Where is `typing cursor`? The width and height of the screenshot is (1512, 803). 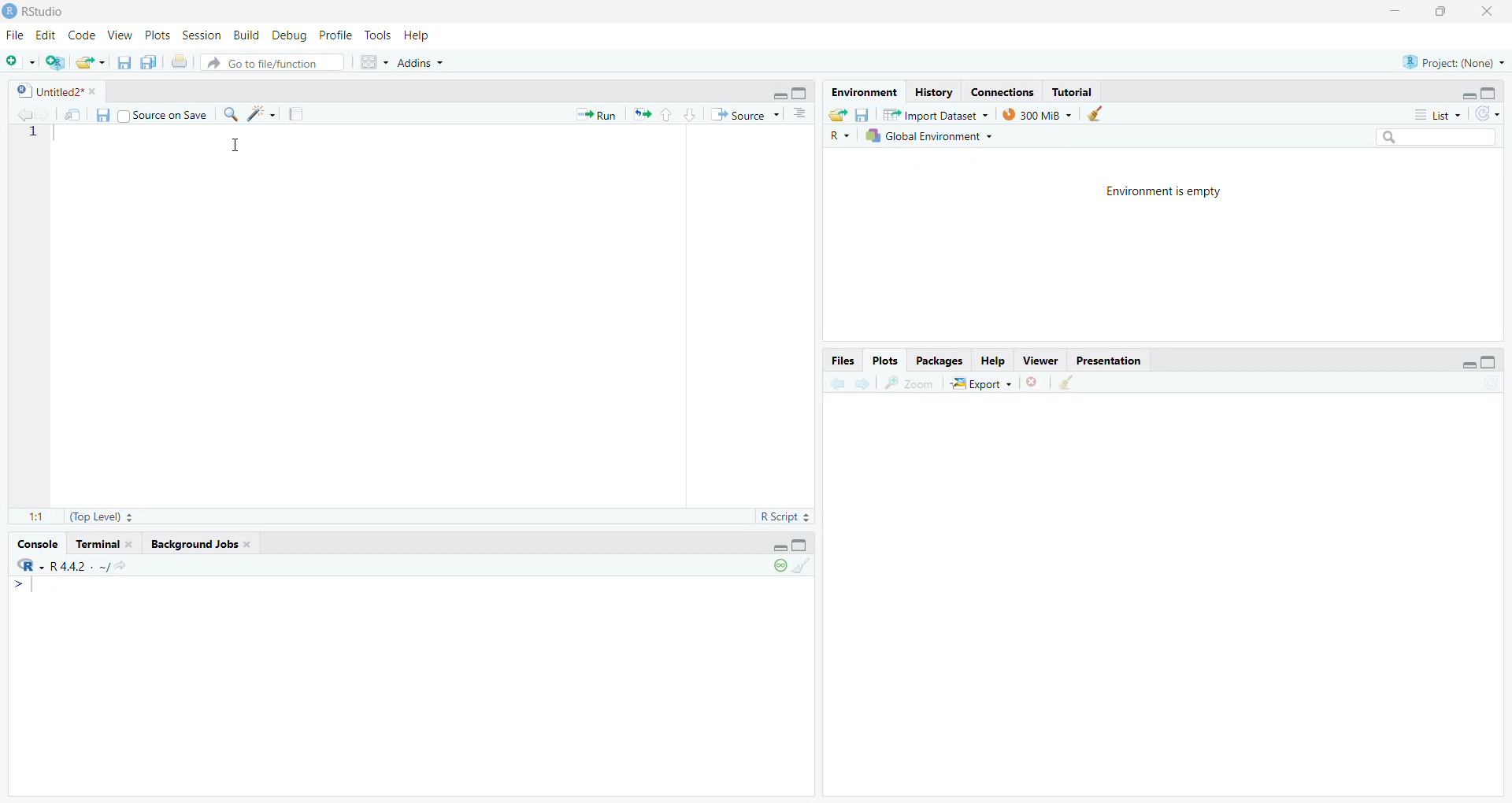 typing cursor is located at coordinates (31, 587).